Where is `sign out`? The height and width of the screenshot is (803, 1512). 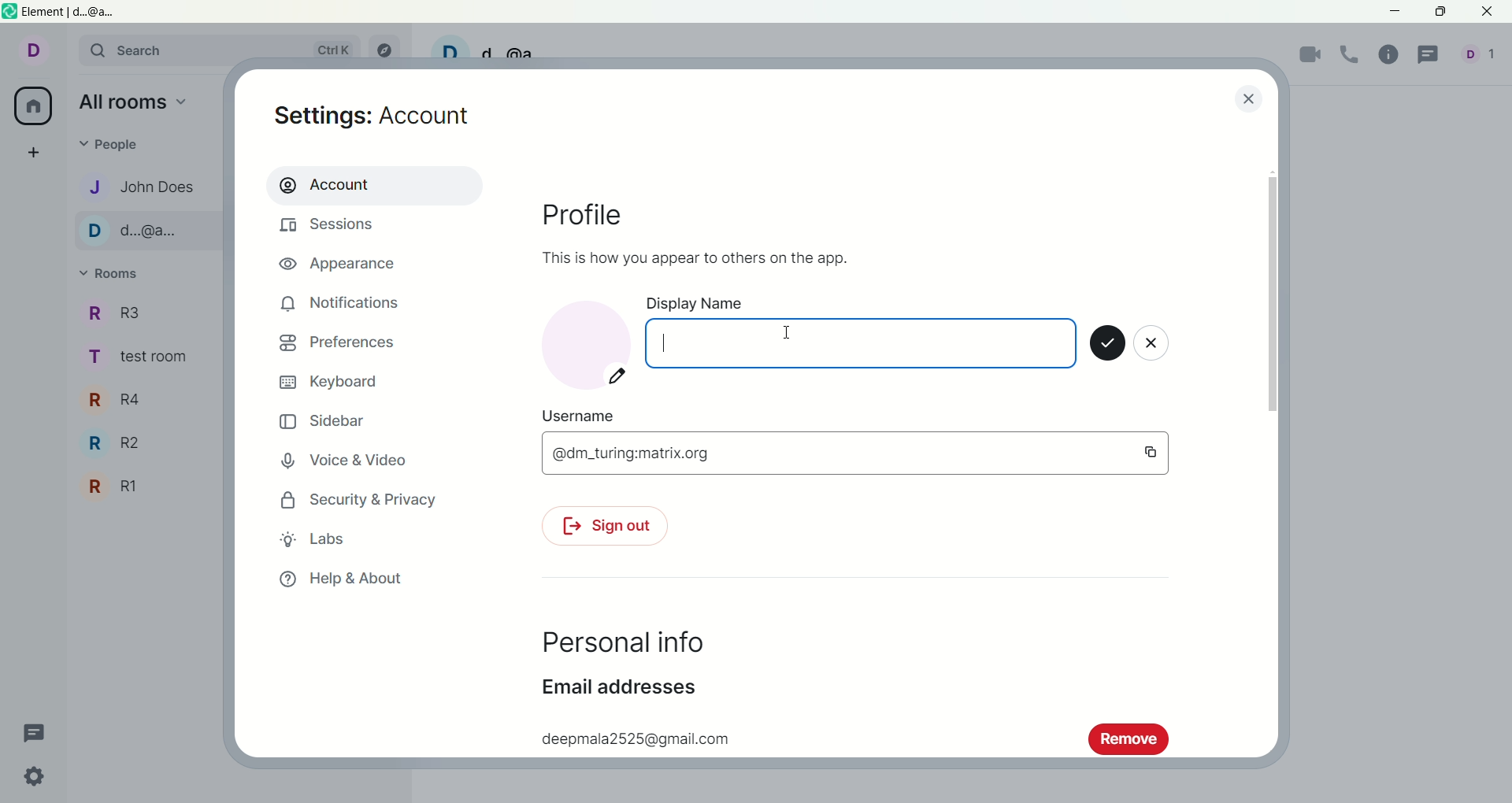
sign out is located at coordinates (602, 528).